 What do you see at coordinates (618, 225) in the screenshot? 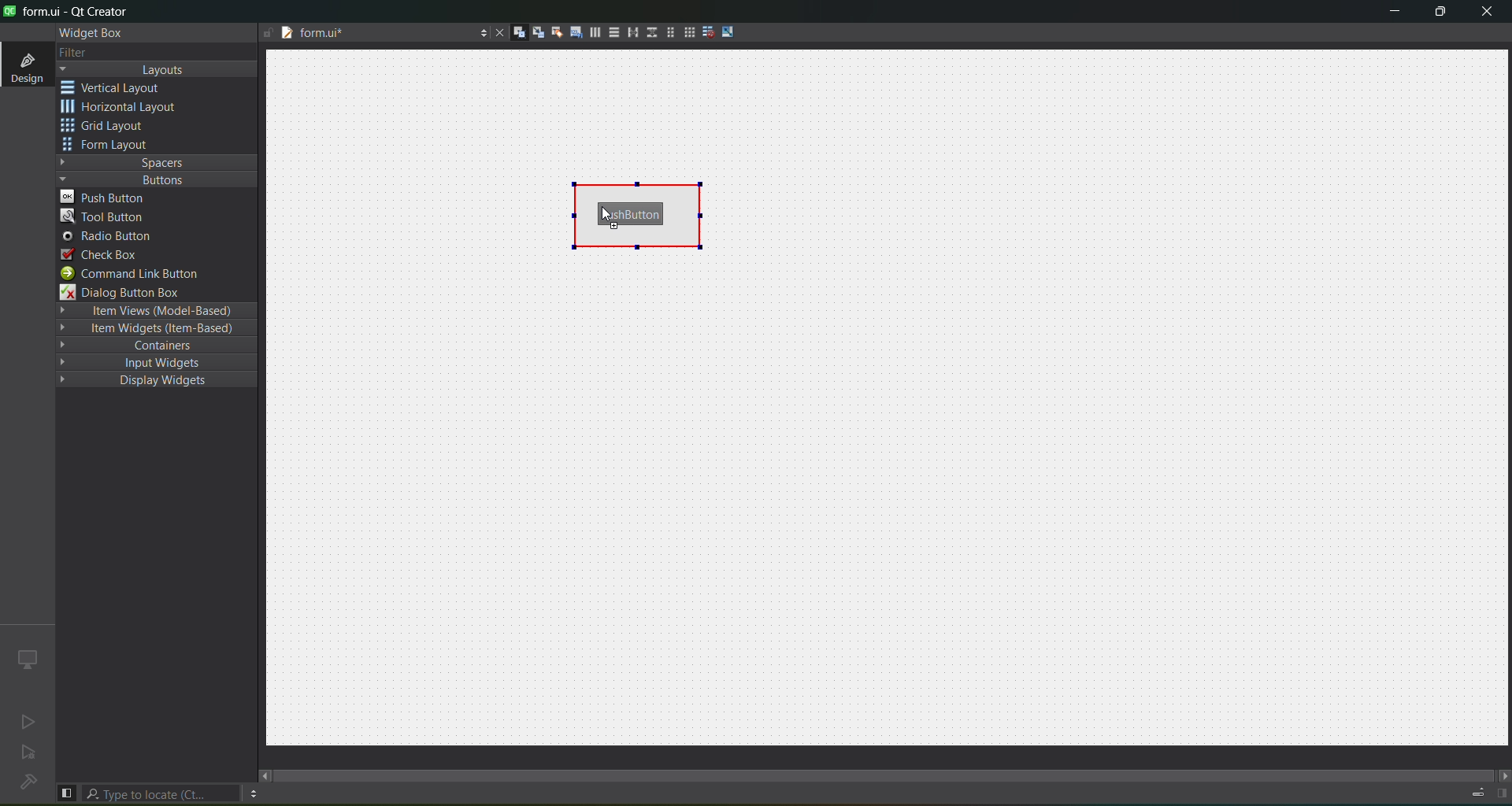
I see `Cursor` at bounding box center [618, 225].